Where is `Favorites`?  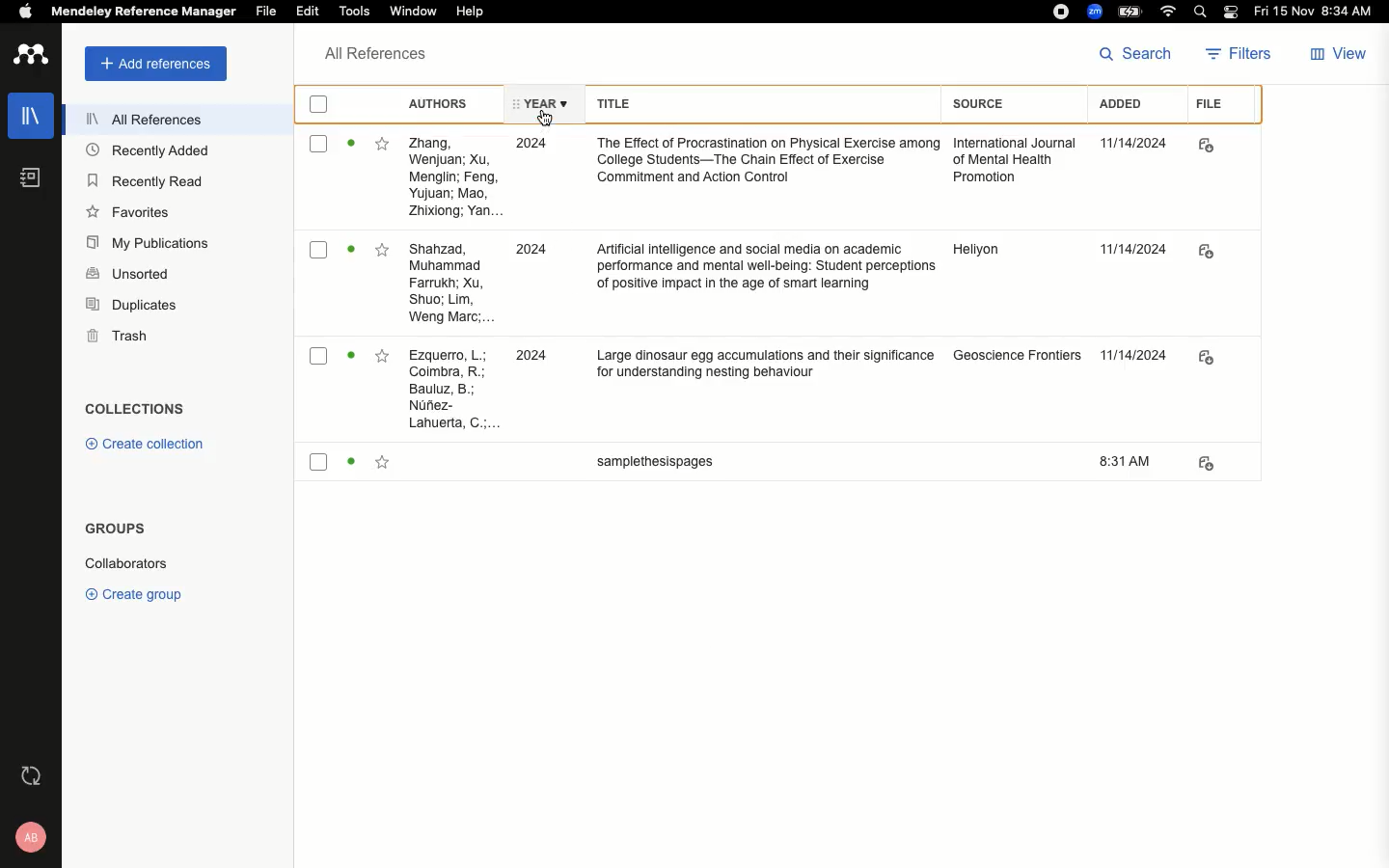 Favorites is located at coordinates (125, 212).